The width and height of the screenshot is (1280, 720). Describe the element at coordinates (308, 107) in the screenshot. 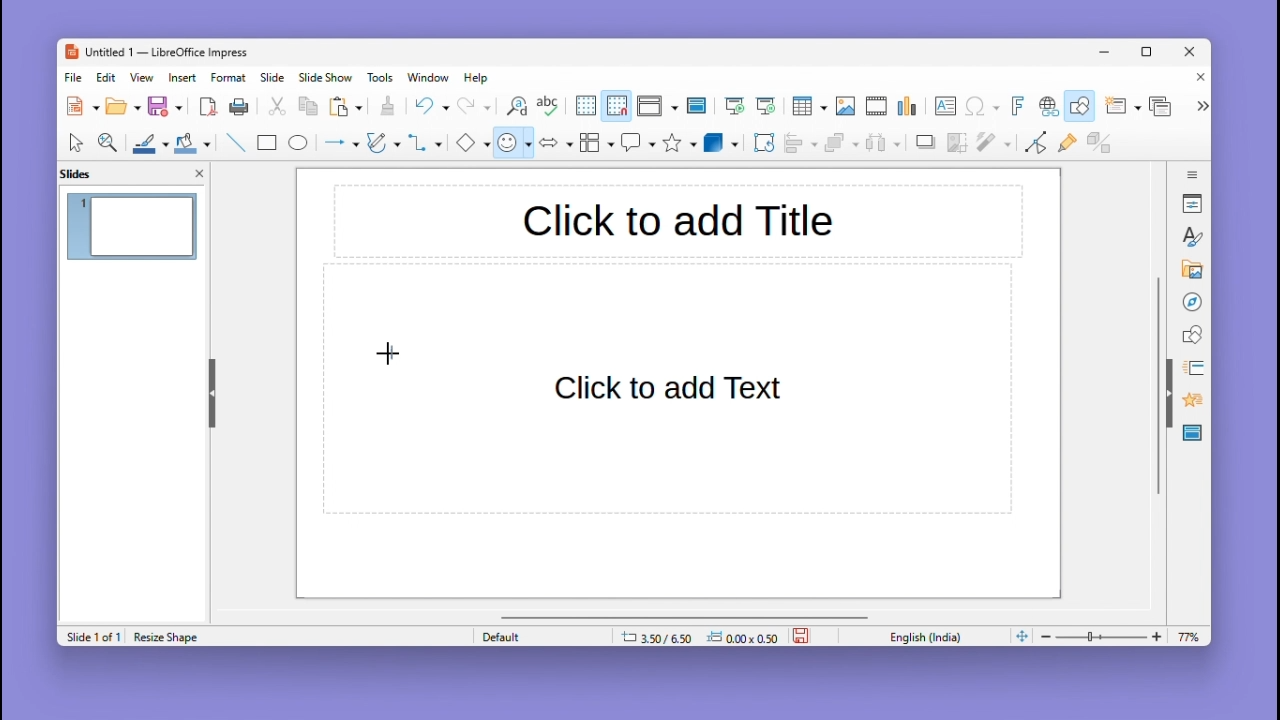

I see `copy` at that location.